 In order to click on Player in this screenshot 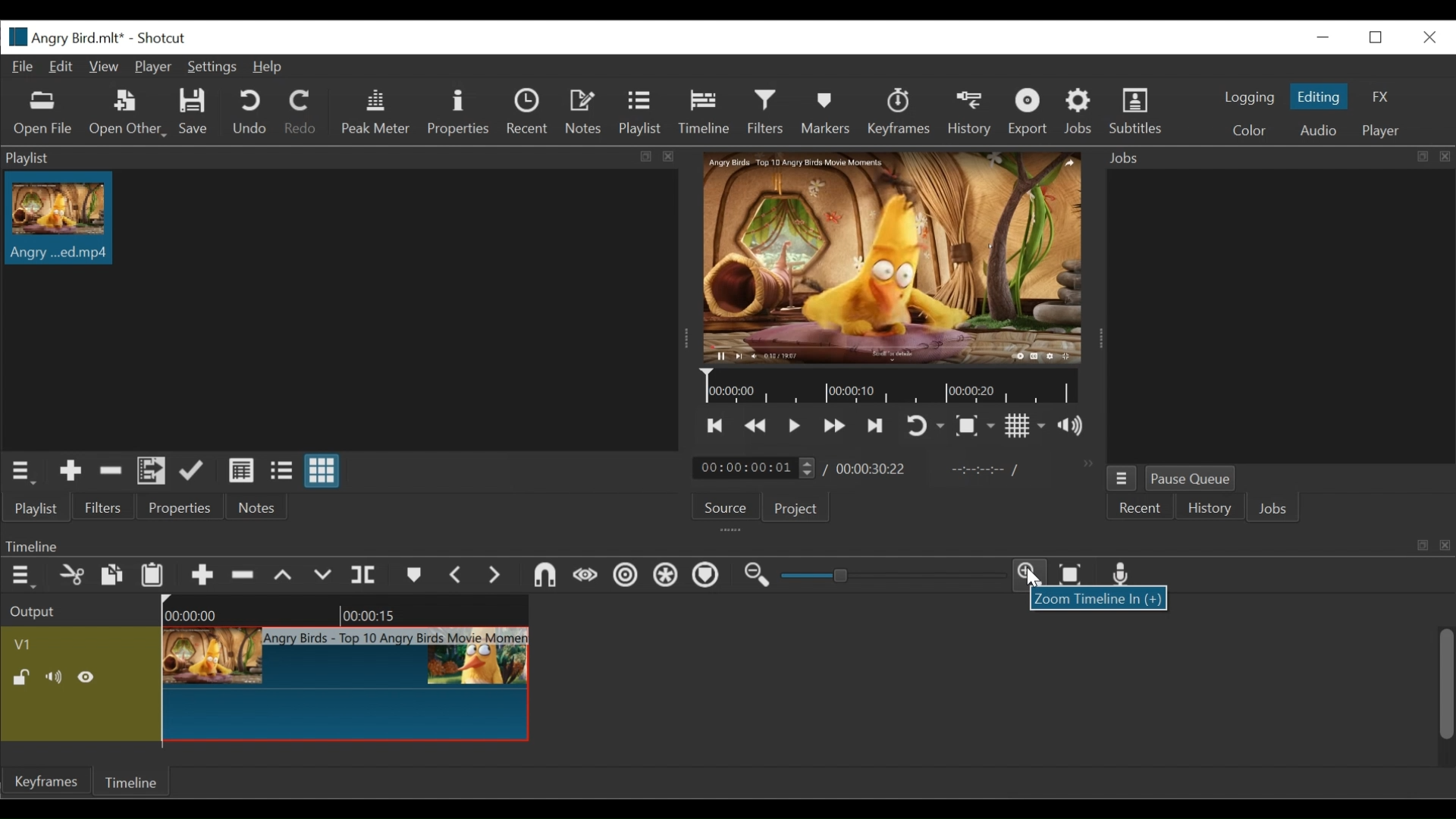, I will do `click(1385, 132)`.